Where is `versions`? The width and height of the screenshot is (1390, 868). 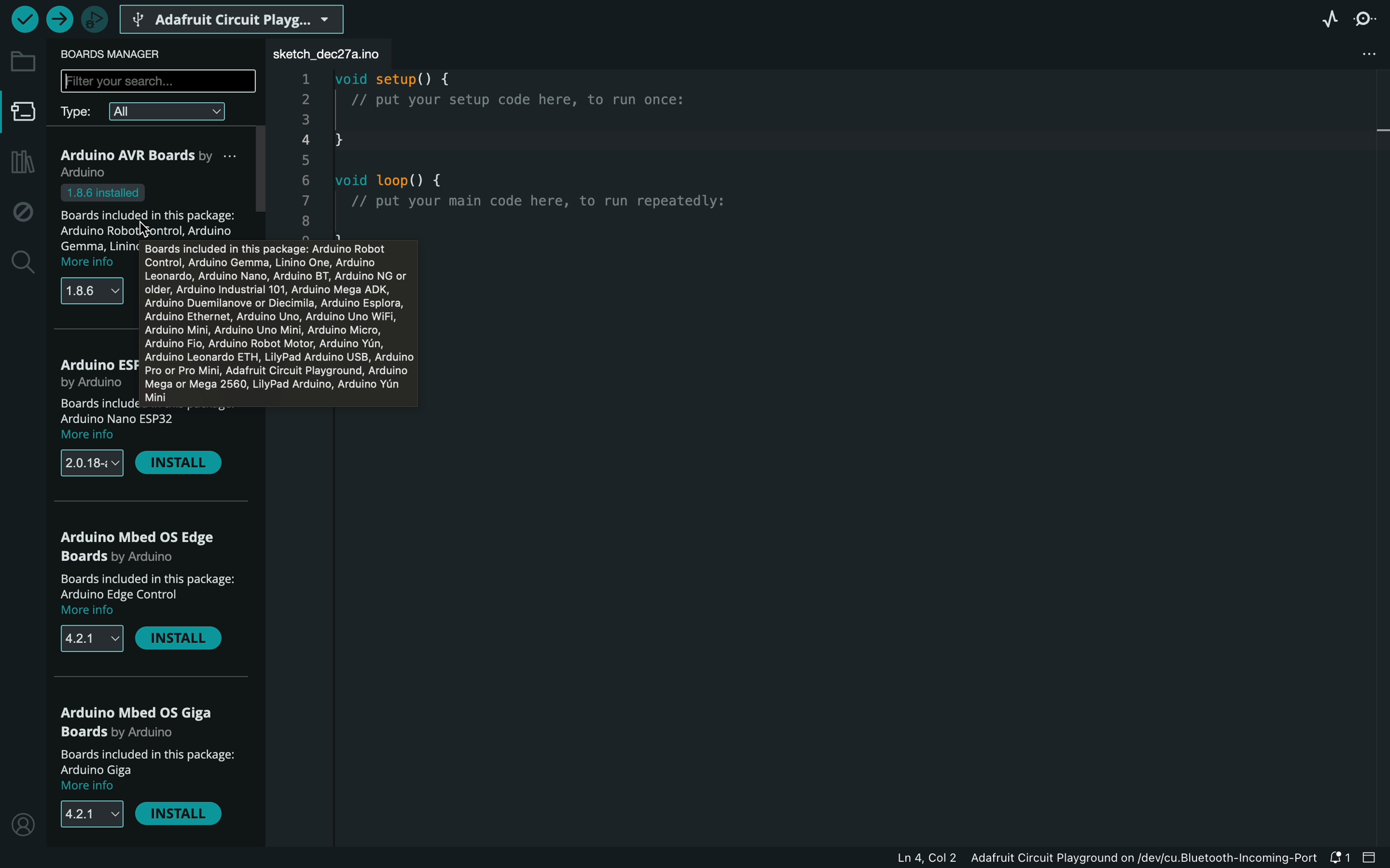 versions is located at coordinates (96, 816).